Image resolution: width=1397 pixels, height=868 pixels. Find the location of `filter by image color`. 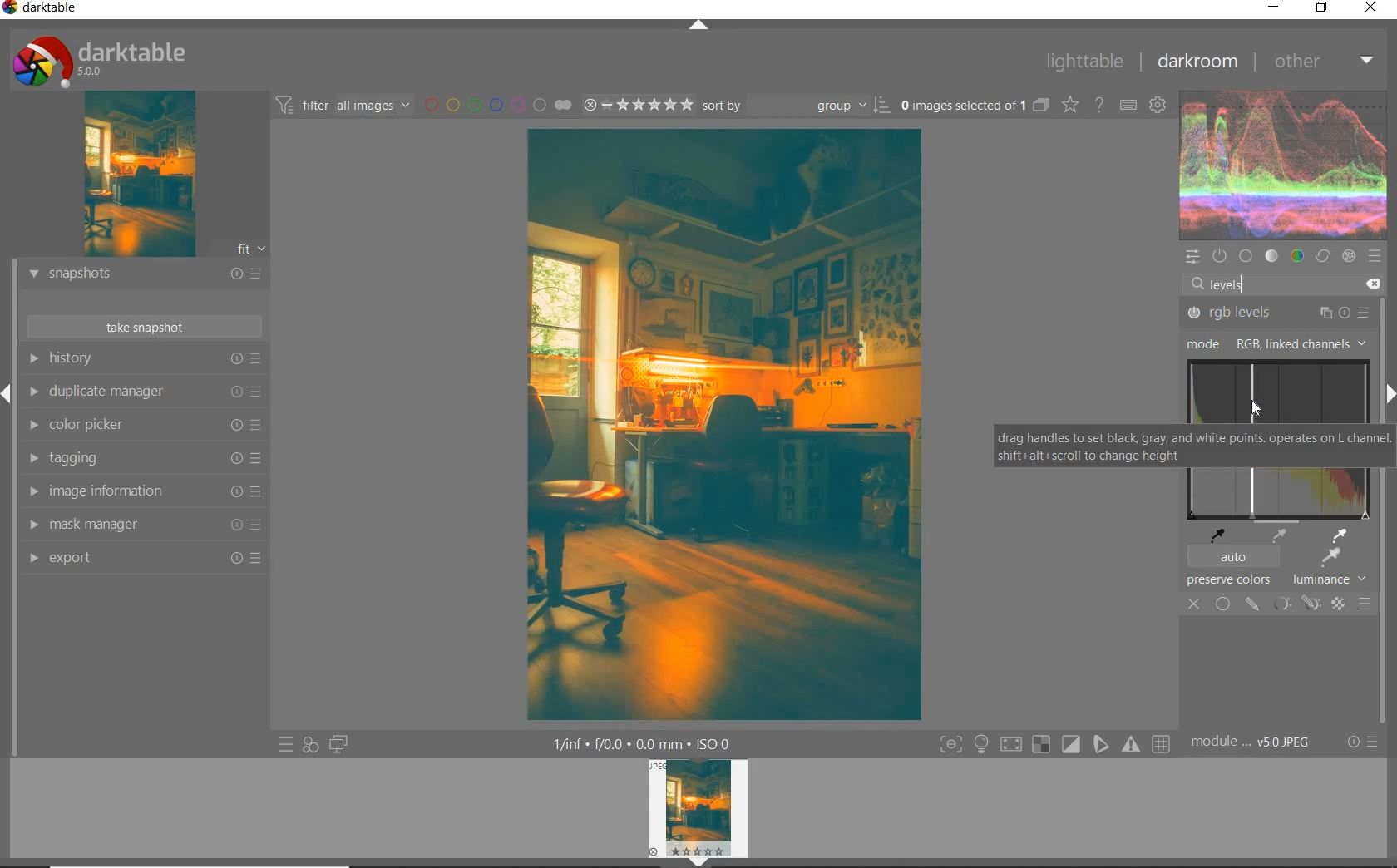

filter by image color is located at coordinates (498, 106).